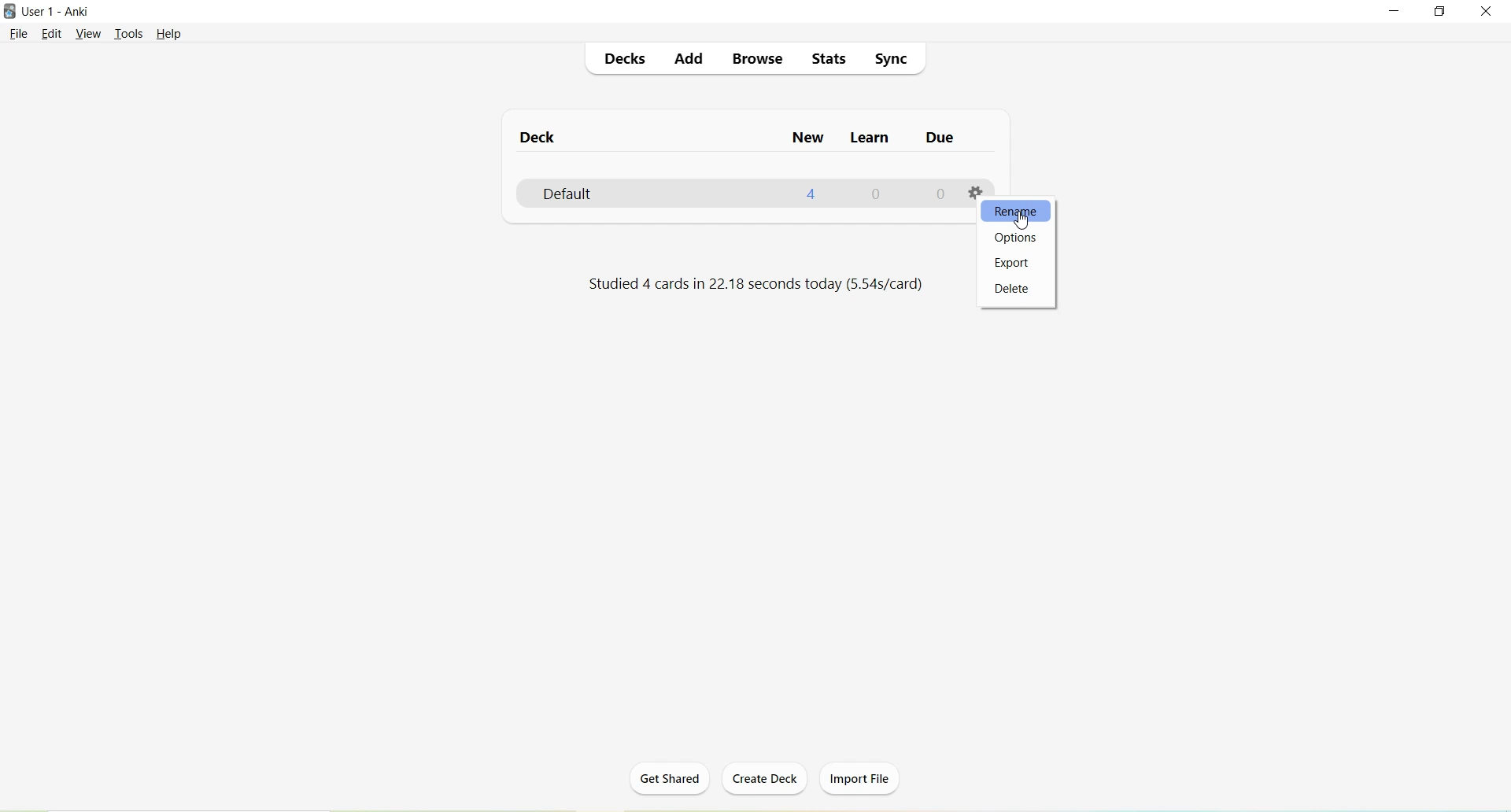 Image resolution: width=1511 pixels, height=812 pixels. What do you see at coordinates (168, 34) in the screenshot?
I see `Help` at bounding box center [168, 34].